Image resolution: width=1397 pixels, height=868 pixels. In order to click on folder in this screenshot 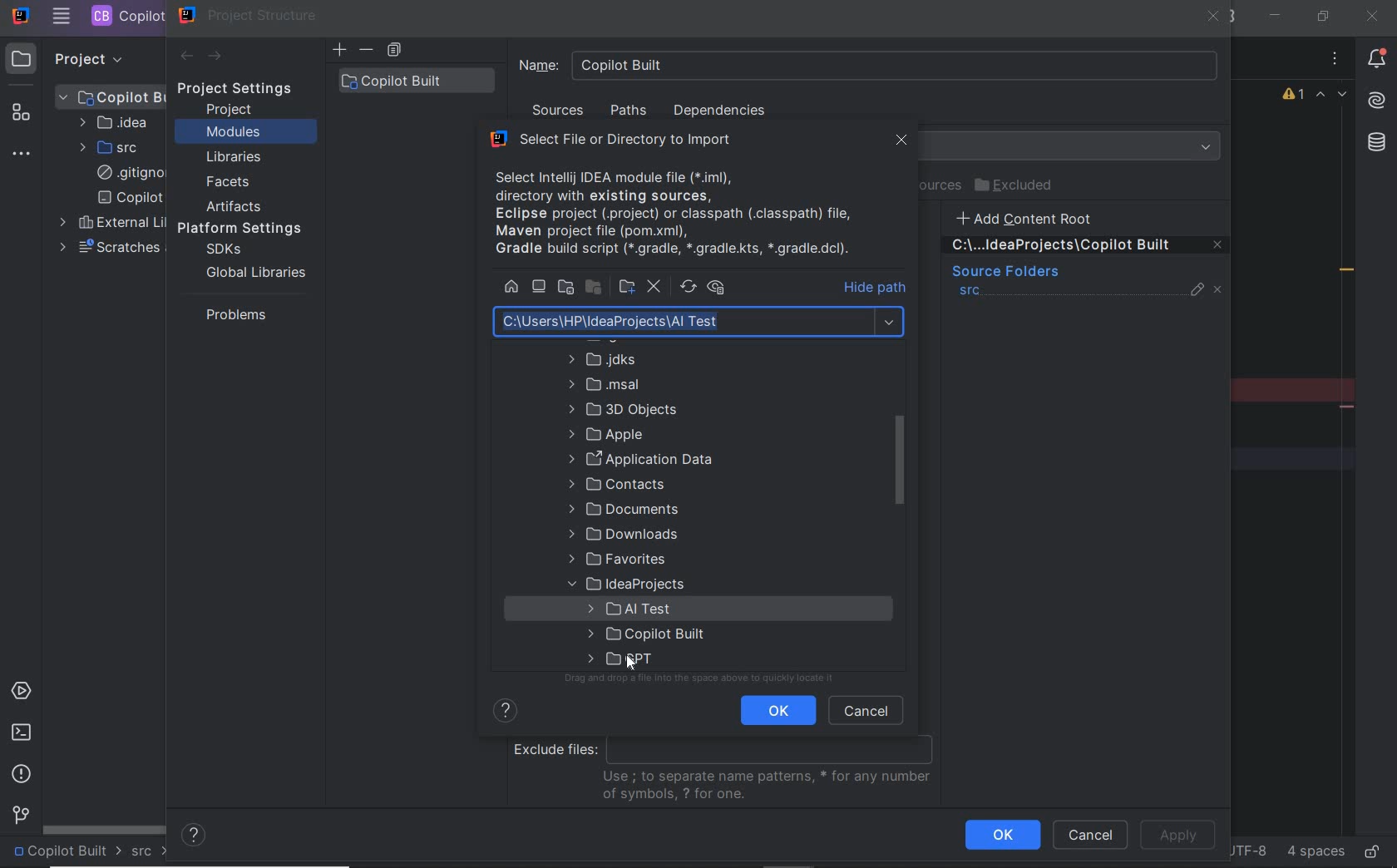, I will do `click(620, 408)`.